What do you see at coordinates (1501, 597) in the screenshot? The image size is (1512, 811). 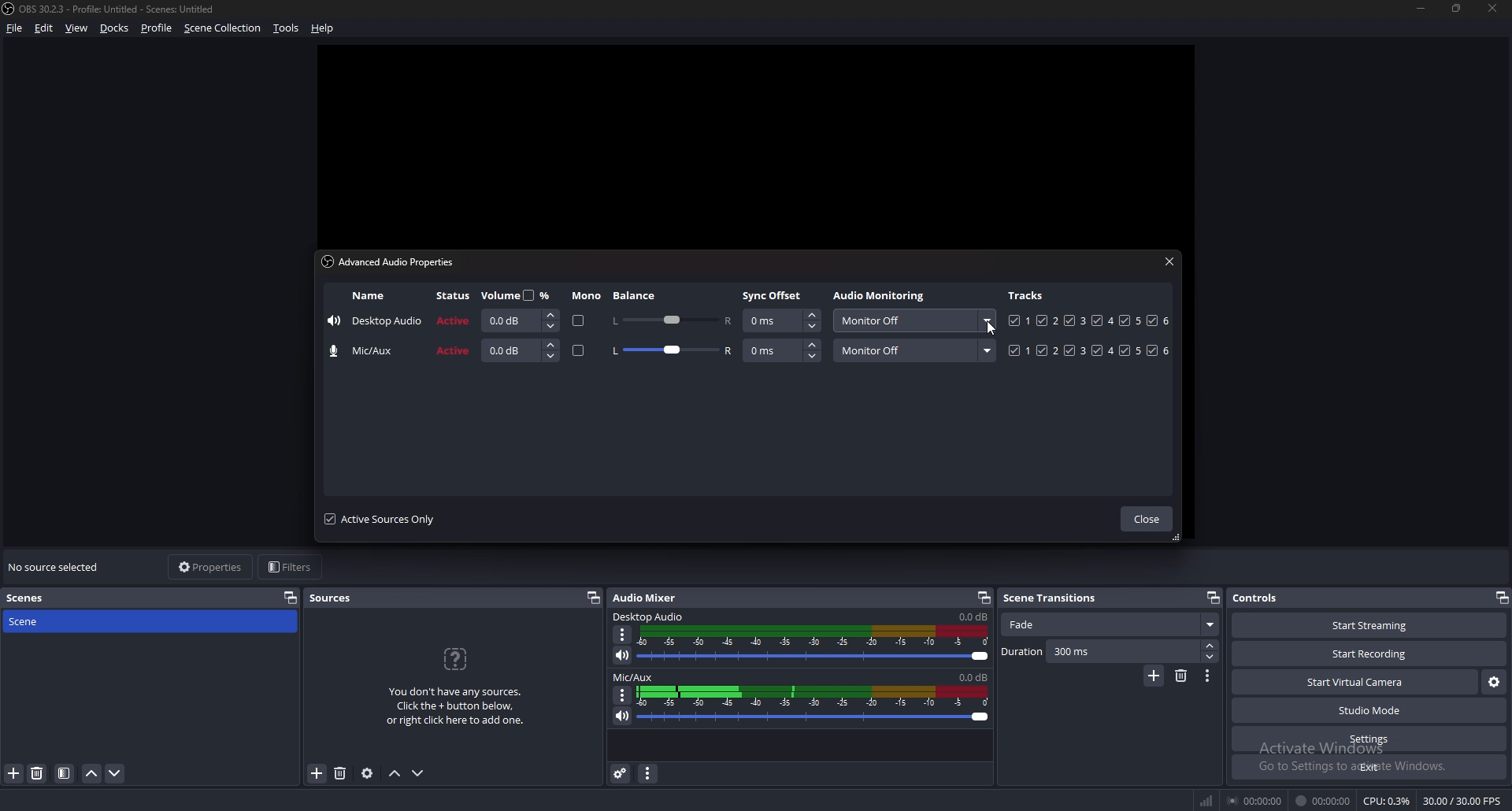 I see `pop out` at bounding box center [1501, 597].